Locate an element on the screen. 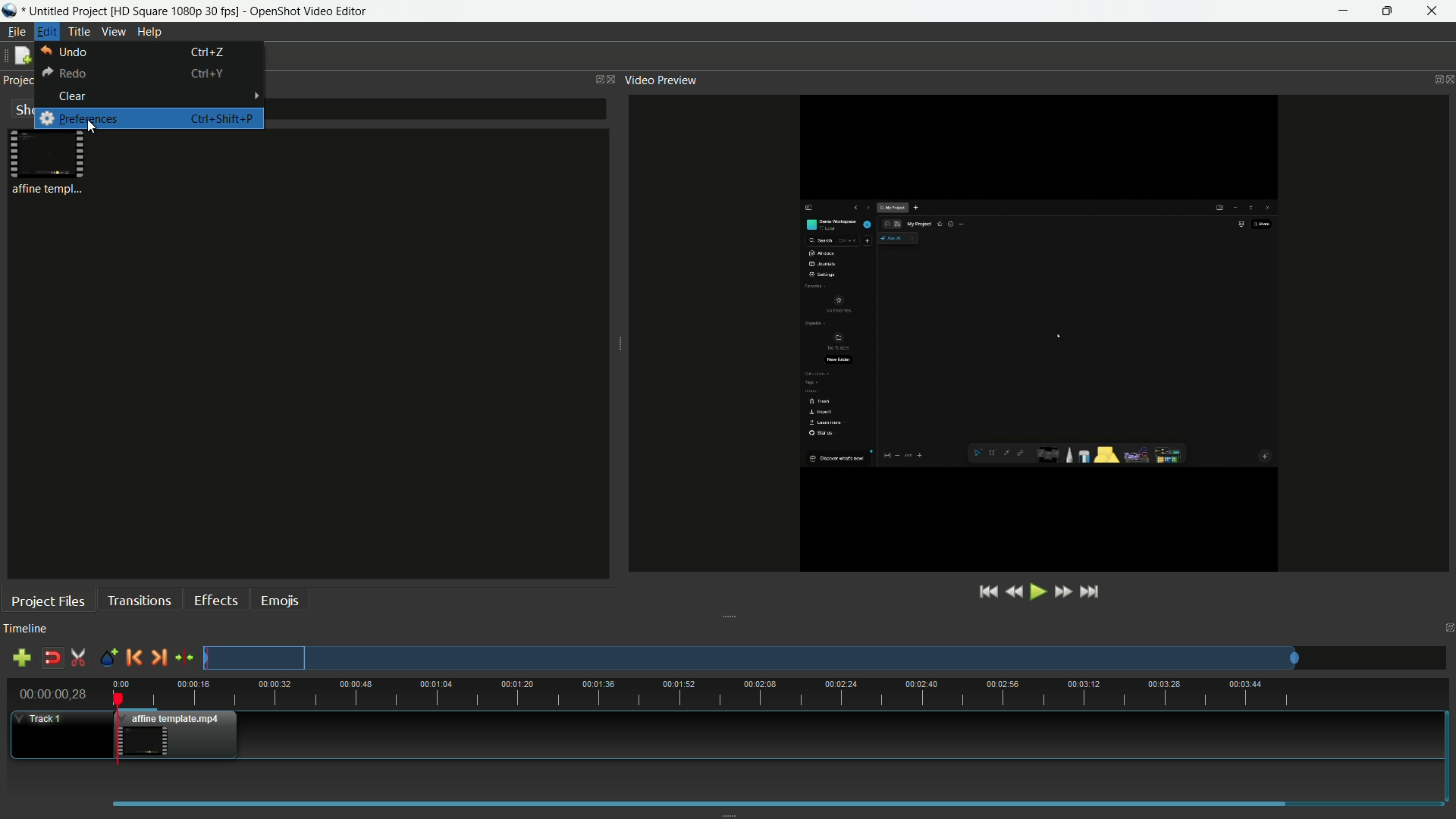  track 1 is located at coordinates (42, 719).